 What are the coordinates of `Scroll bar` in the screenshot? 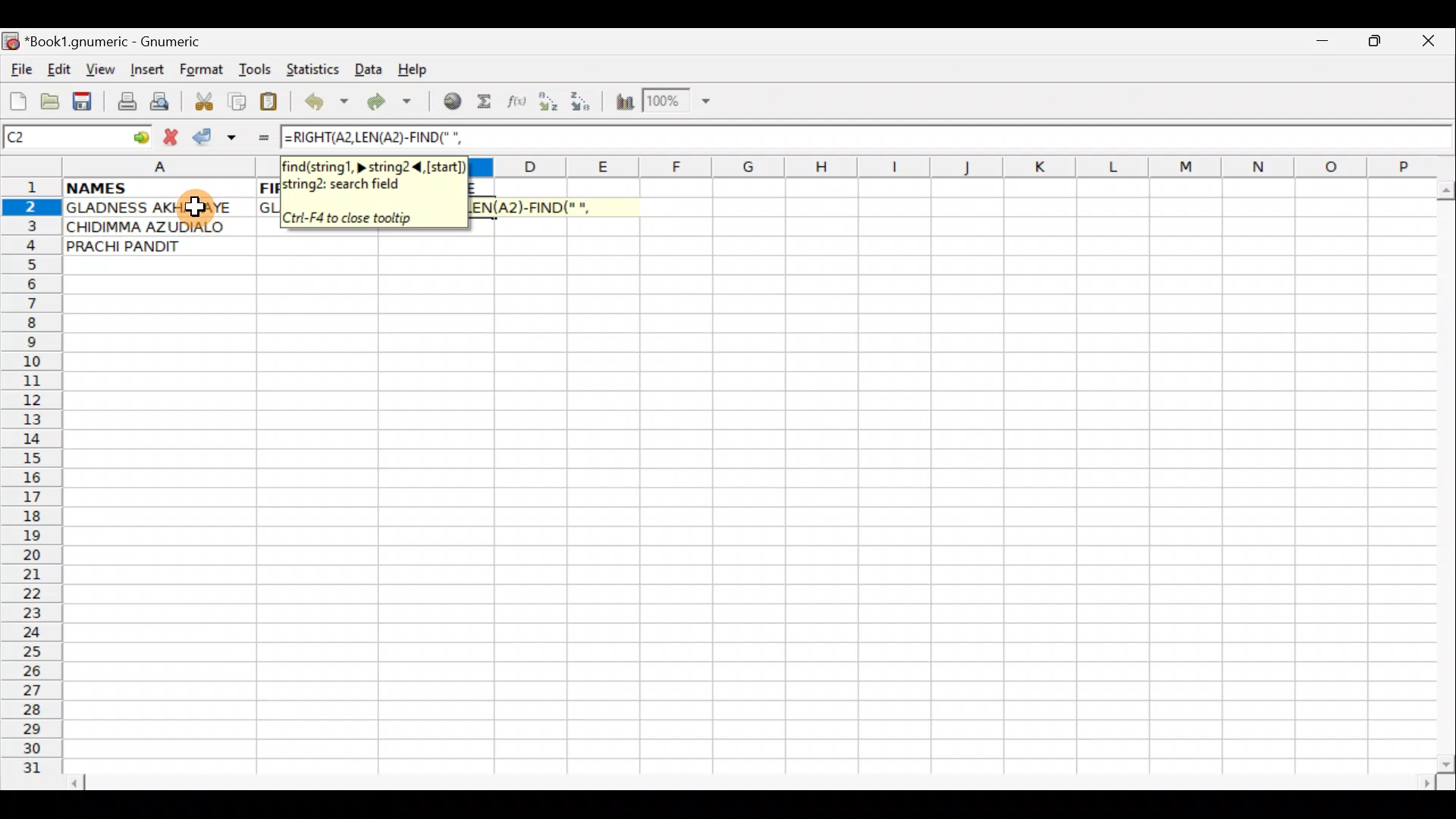 It's located at (1442, 473).